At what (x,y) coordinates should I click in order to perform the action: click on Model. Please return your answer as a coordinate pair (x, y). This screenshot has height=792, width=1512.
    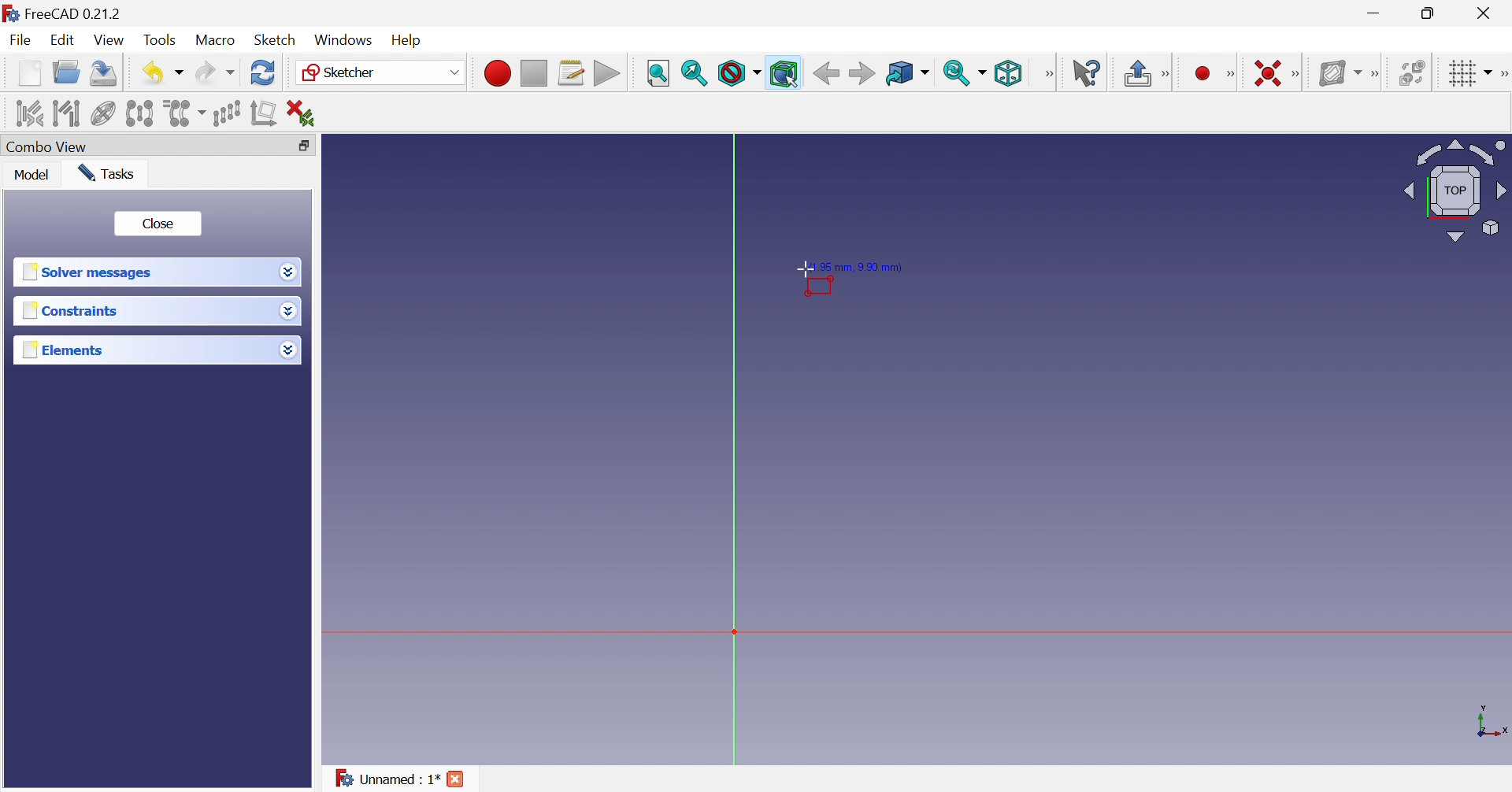
    Looking at the image, I should click on (31, 175).